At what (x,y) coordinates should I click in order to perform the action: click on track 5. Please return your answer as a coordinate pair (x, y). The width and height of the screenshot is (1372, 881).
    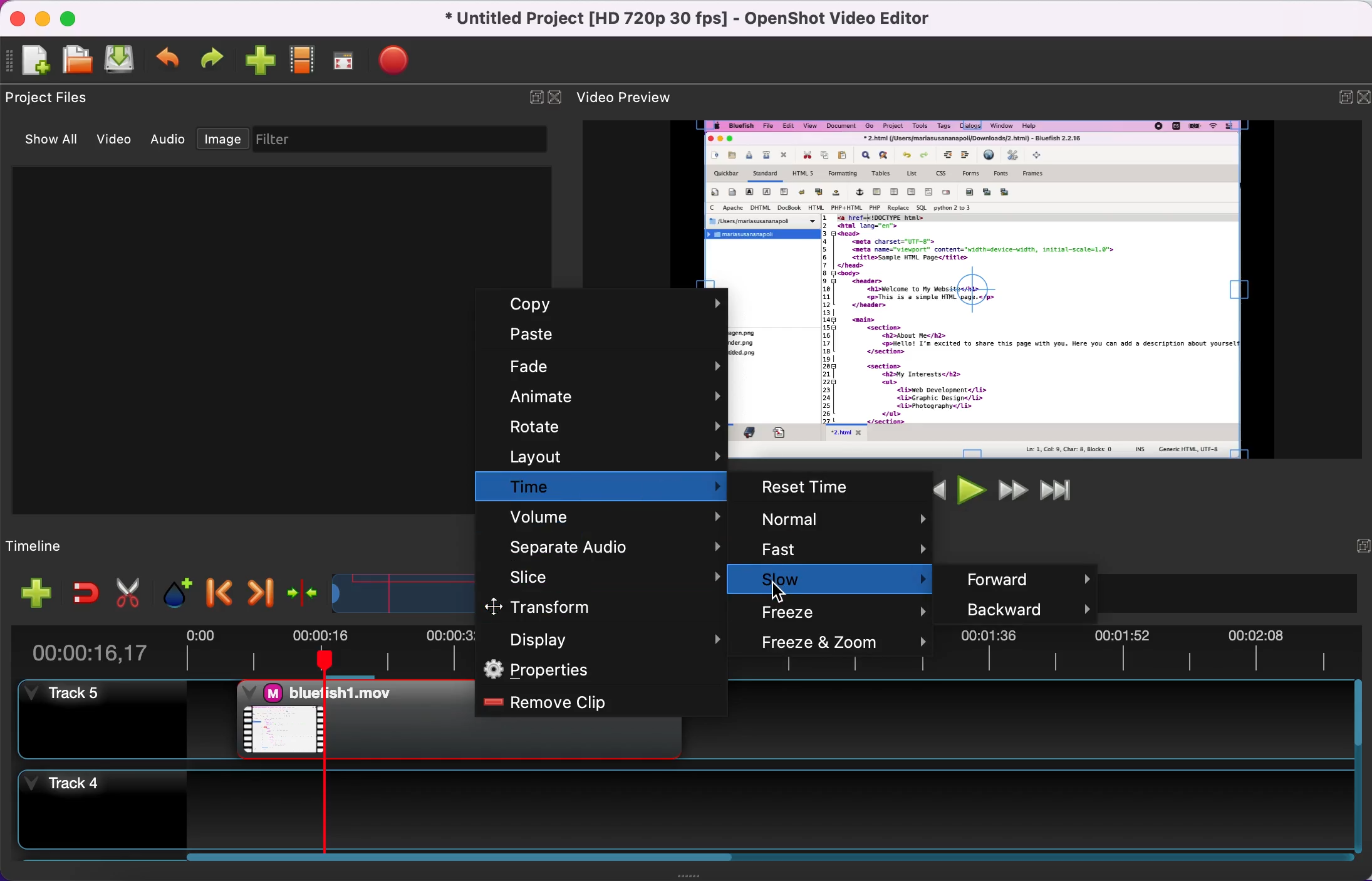
    Looking at the image, I should click on (100, 720).